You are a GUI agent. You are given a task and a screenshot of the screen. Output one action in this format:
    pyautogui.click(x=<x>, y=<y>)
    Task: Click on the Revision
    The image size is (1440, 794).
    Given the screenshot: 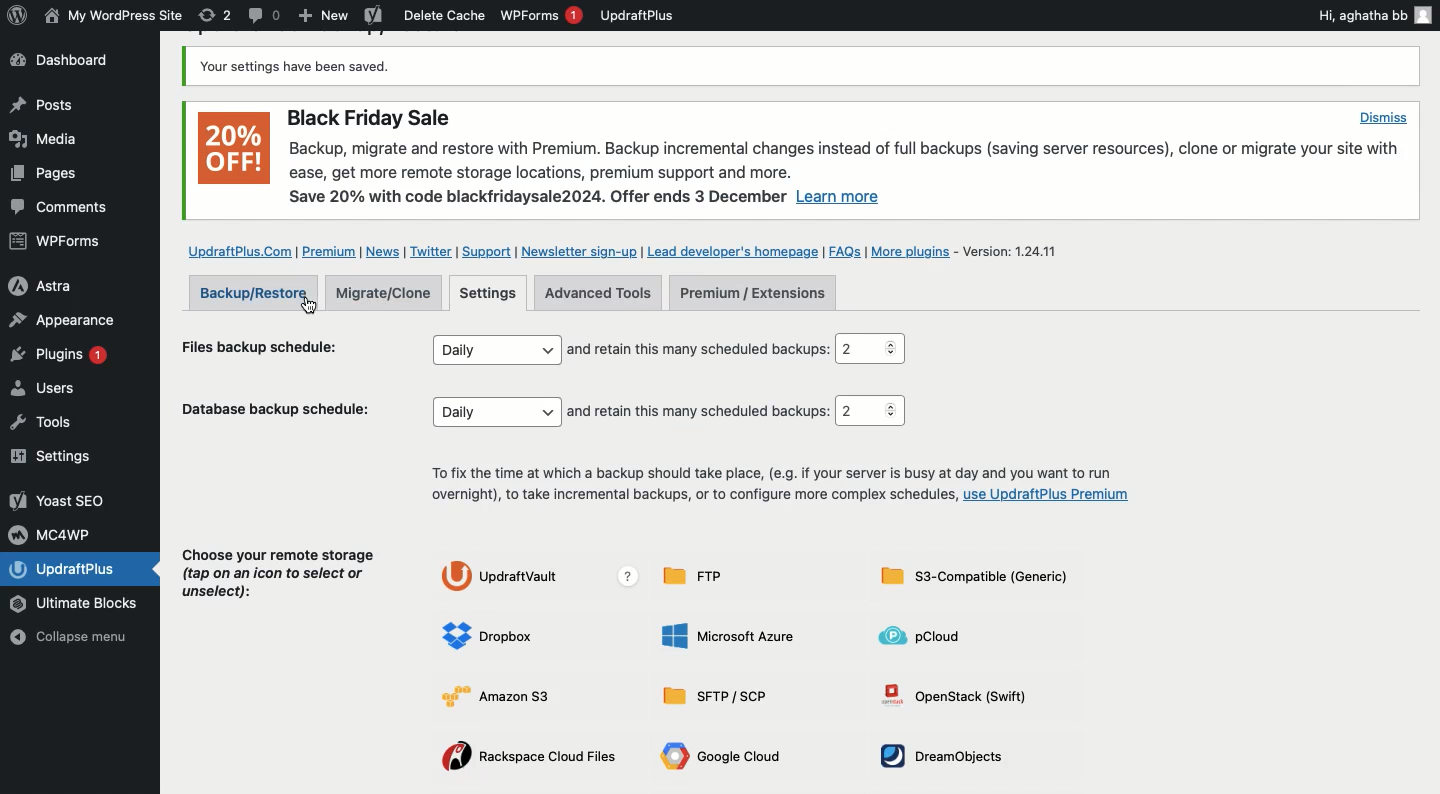 What is the action you would take?
    pyautogui.click(x=215, y=15)
    